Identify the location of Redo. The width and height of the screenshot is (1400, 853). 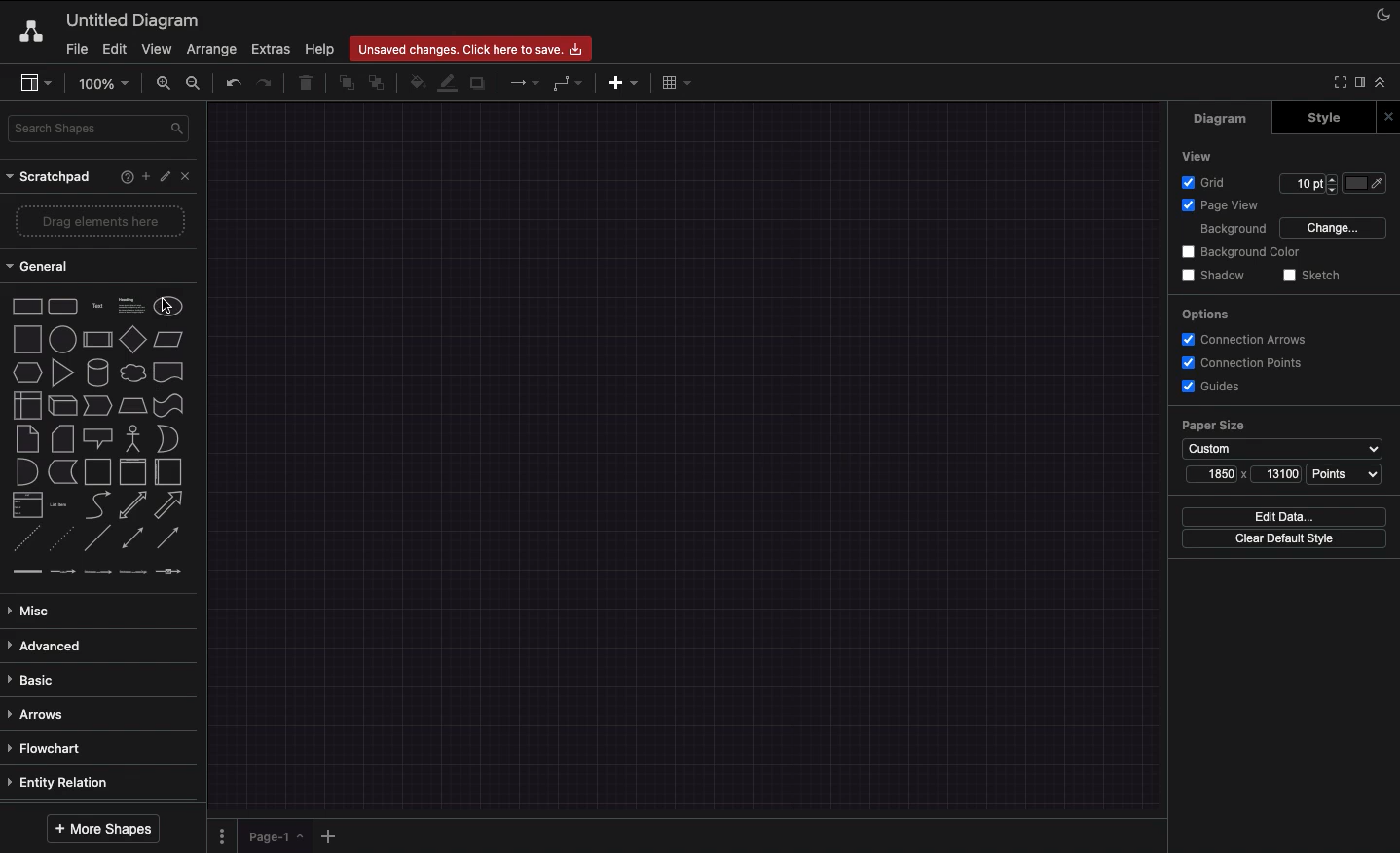
(264, 84).